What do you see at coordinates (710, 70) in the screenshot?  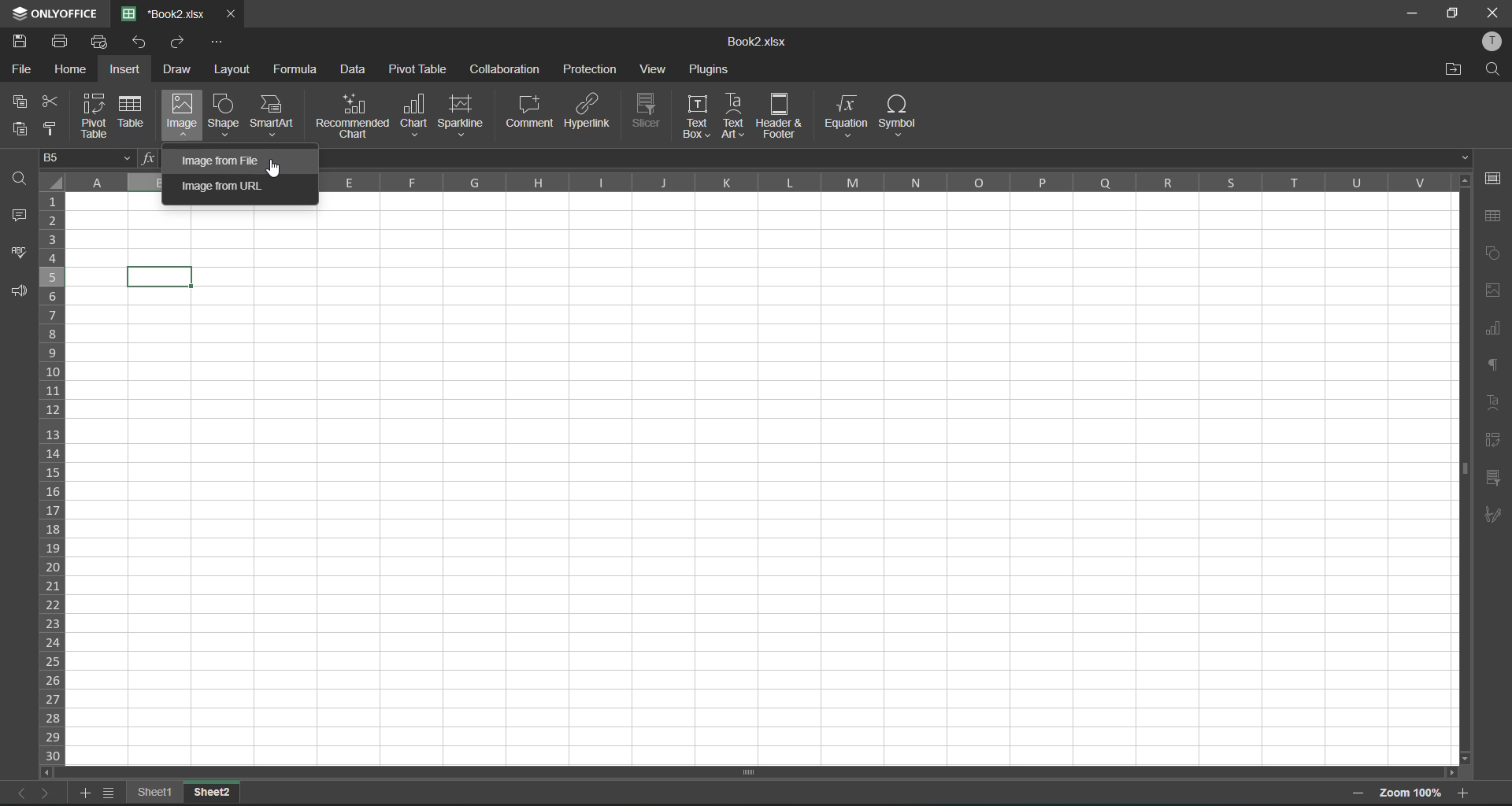 I see `plugins` at bounding box center [710, 70].